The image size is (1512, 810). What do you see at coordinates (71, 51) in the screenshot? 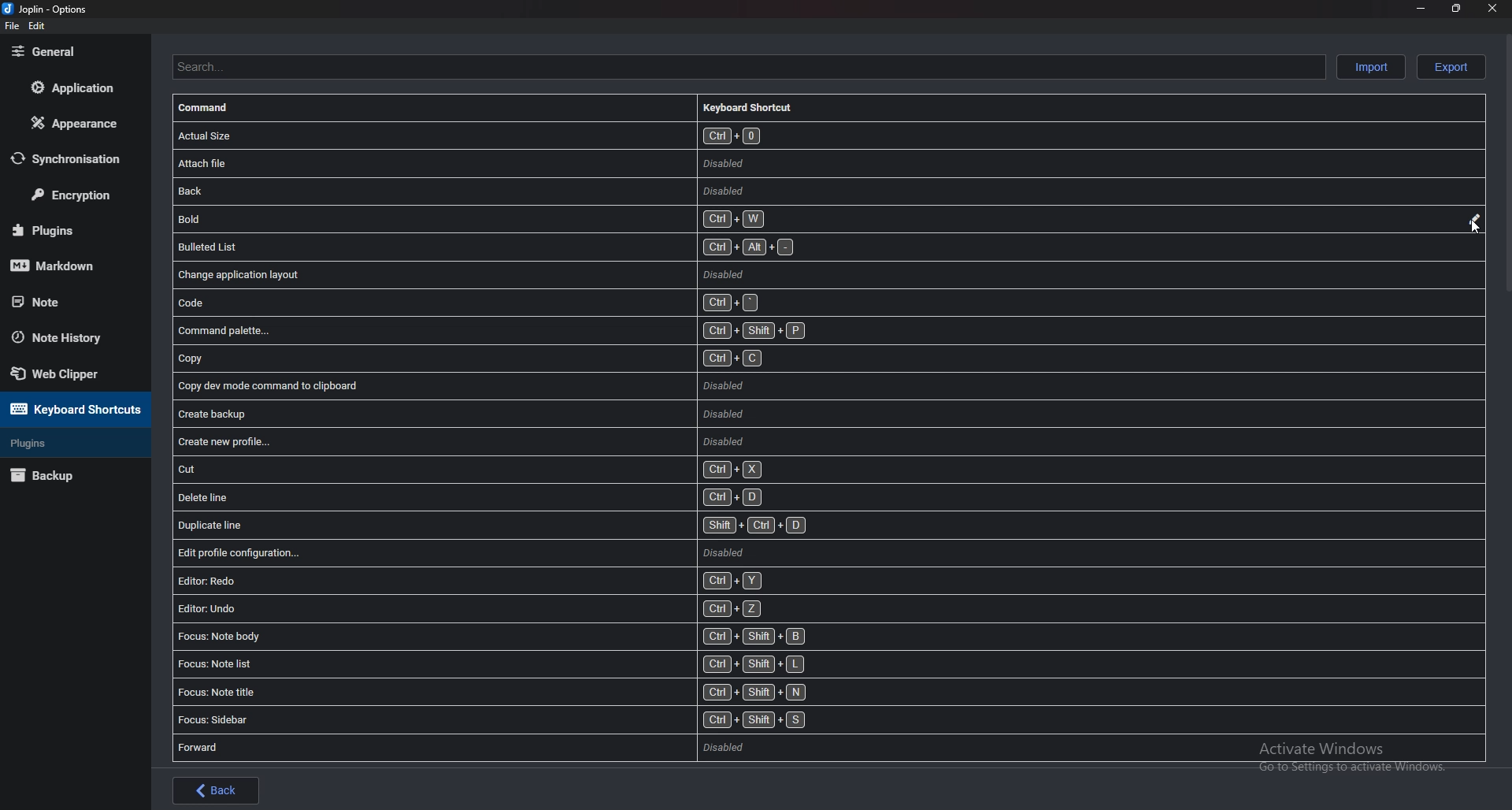
I see `general` at bounding box center [71, 51].